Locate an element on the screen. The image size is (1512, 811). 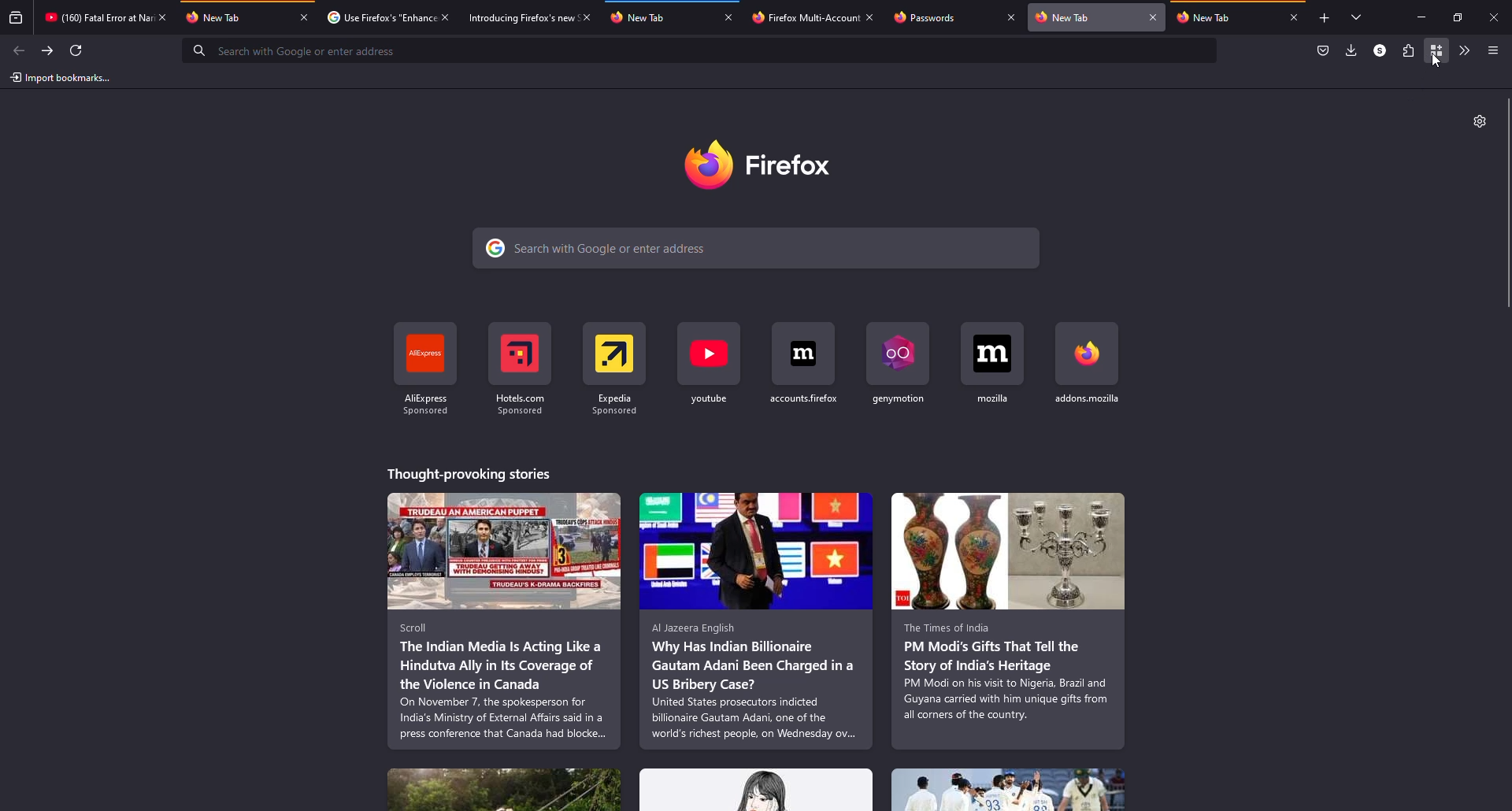
close is located at coordinates (1154, 17).